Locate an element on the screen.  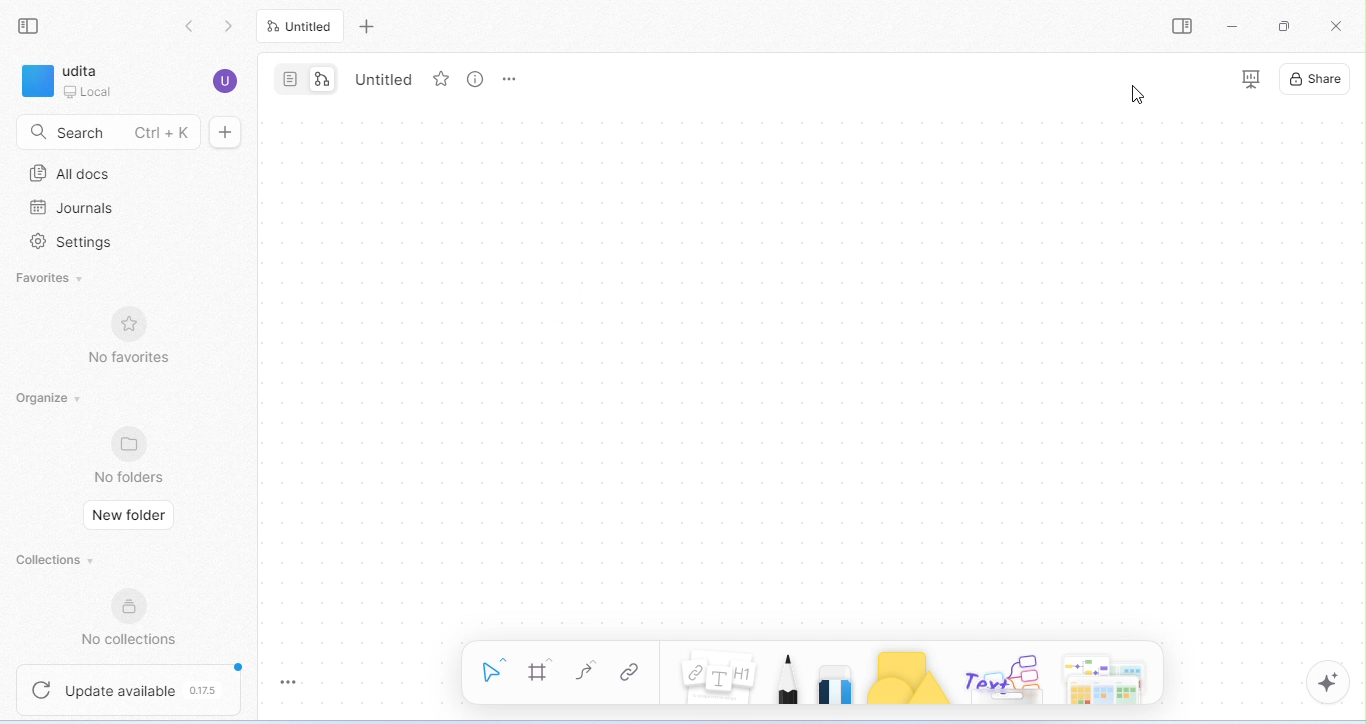
pencil is located at coordinates (790, 678).